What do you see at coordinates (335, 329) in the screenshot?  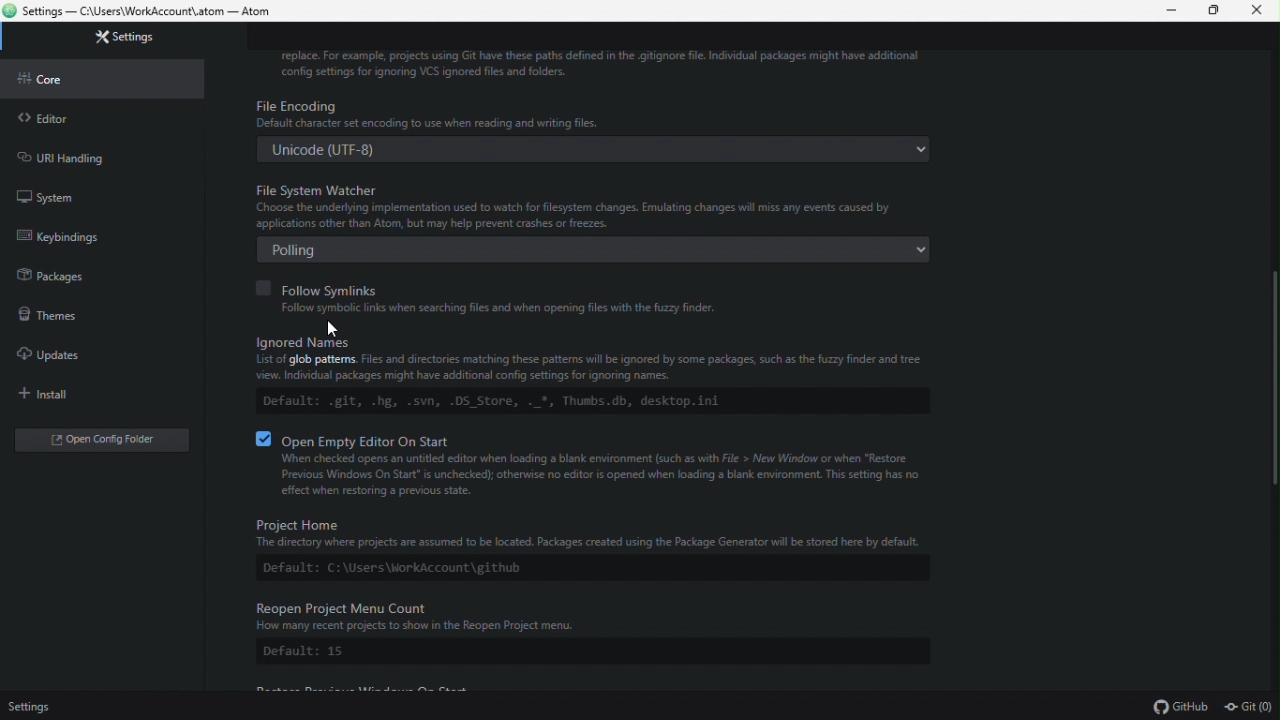 I see `cursor` at bounding box center [335, 329].